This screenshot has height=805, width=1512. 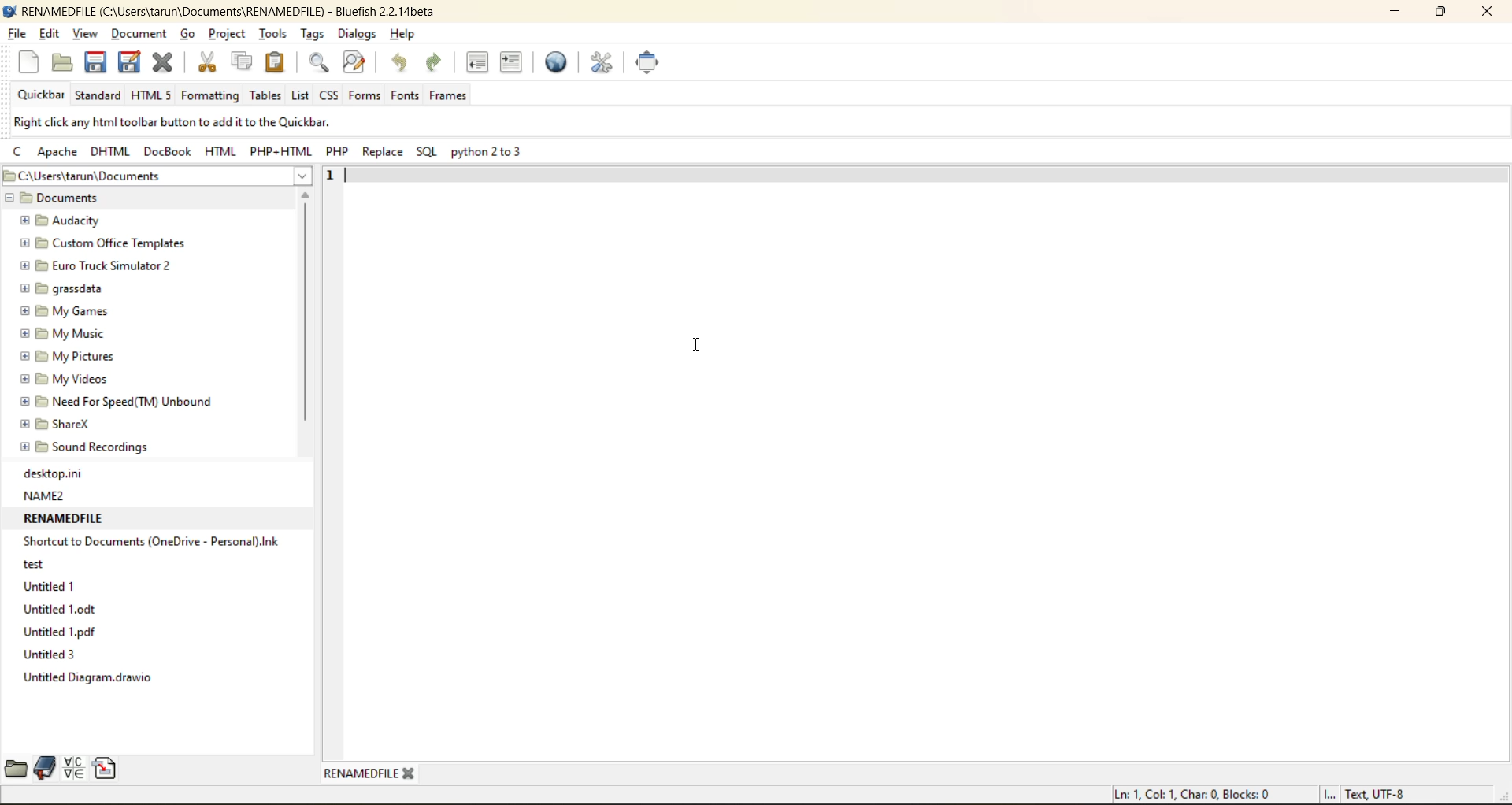 I want to click on Need For Speed(TM) Unbound, so click(x=118, y=402).